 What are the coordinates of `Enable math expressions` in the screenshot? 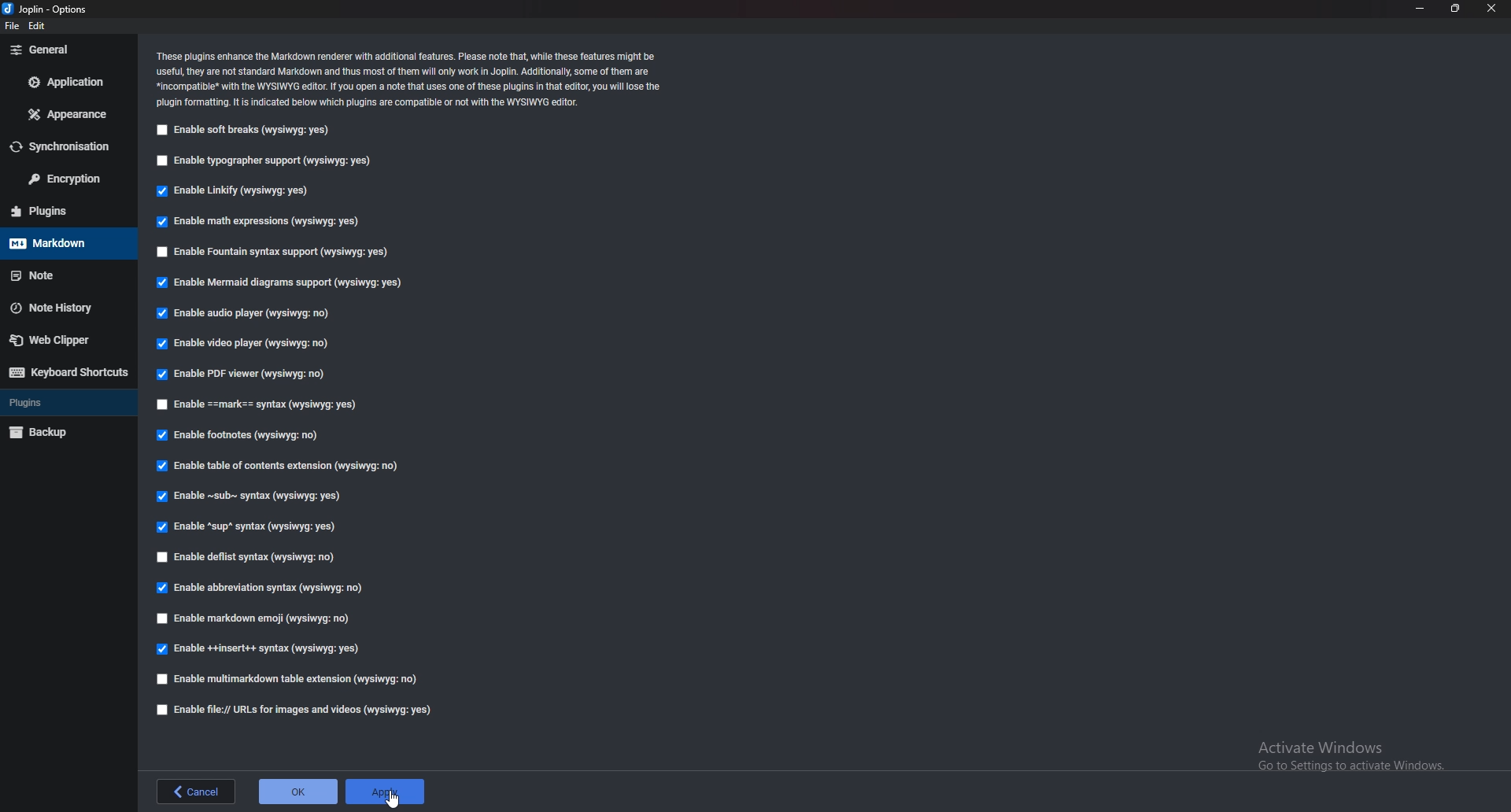 It's located at (256, 222).